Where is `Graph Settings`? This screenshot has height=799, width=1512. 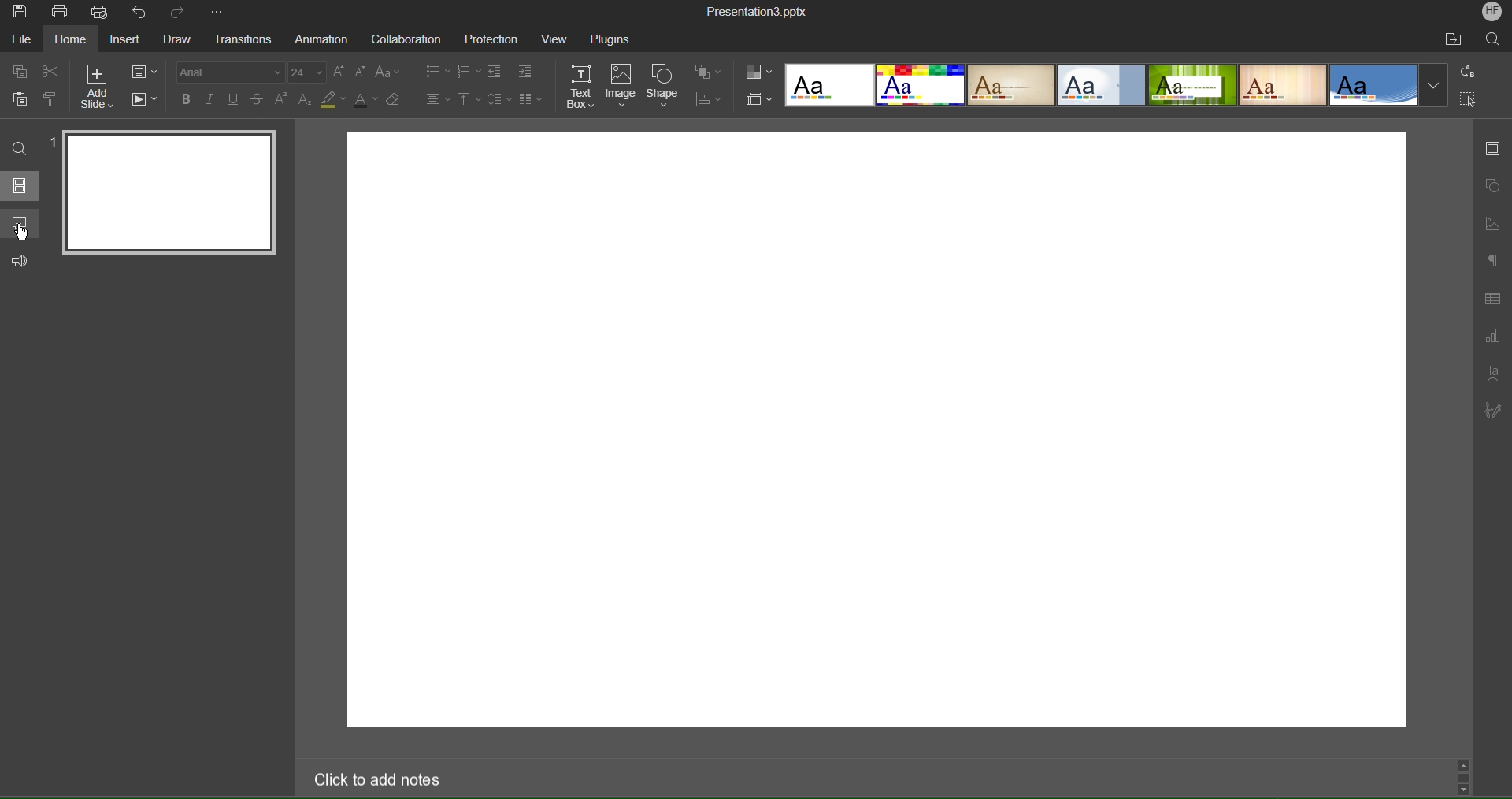
Graph Settings is located at coordinates (1492, 337).